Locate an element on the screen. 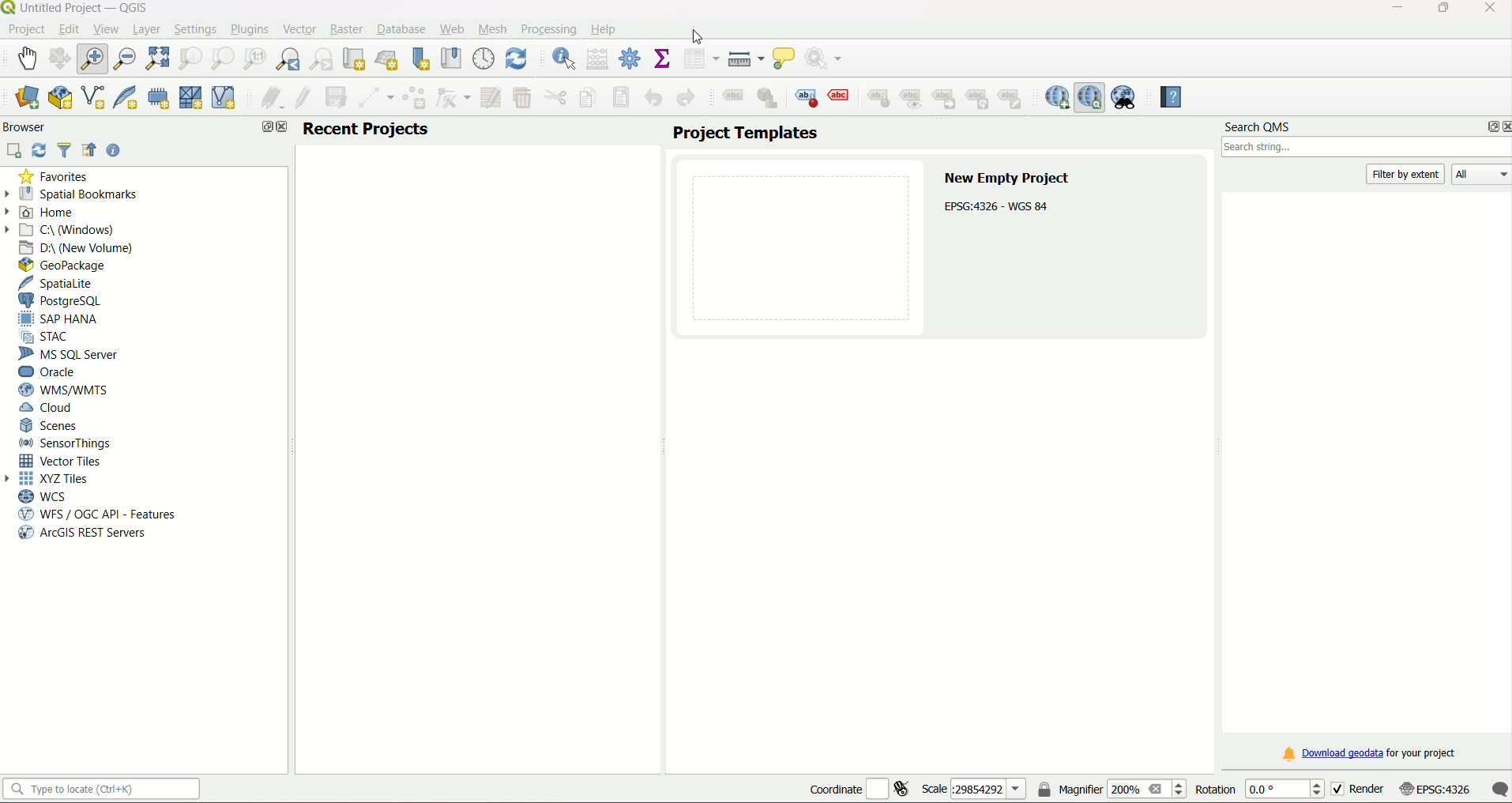 The image size is (1512, 803). highlight pinned is located at coordinates (807, 97).